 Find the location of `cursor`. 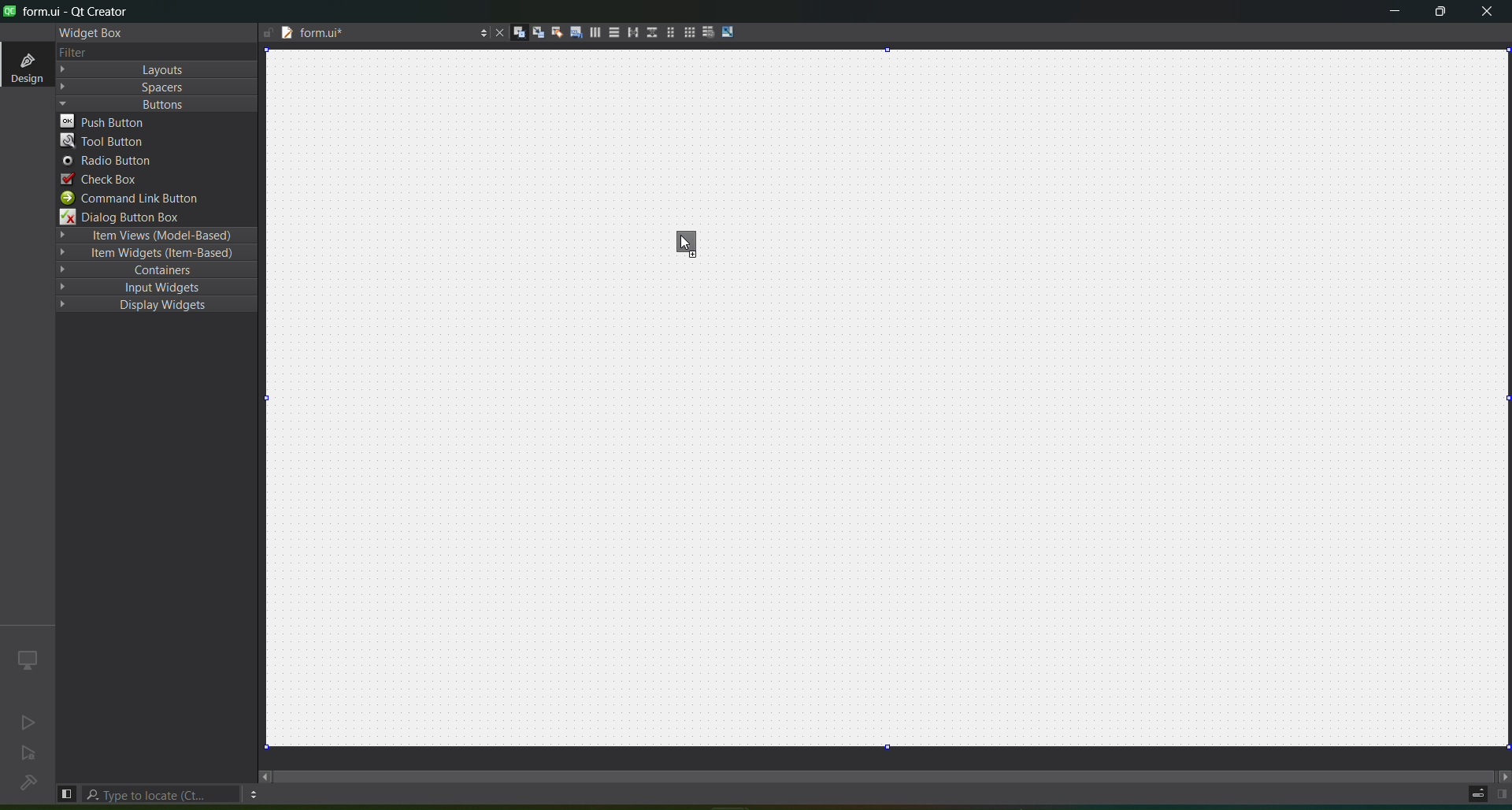

cursor is located at coordinates (685, 243).